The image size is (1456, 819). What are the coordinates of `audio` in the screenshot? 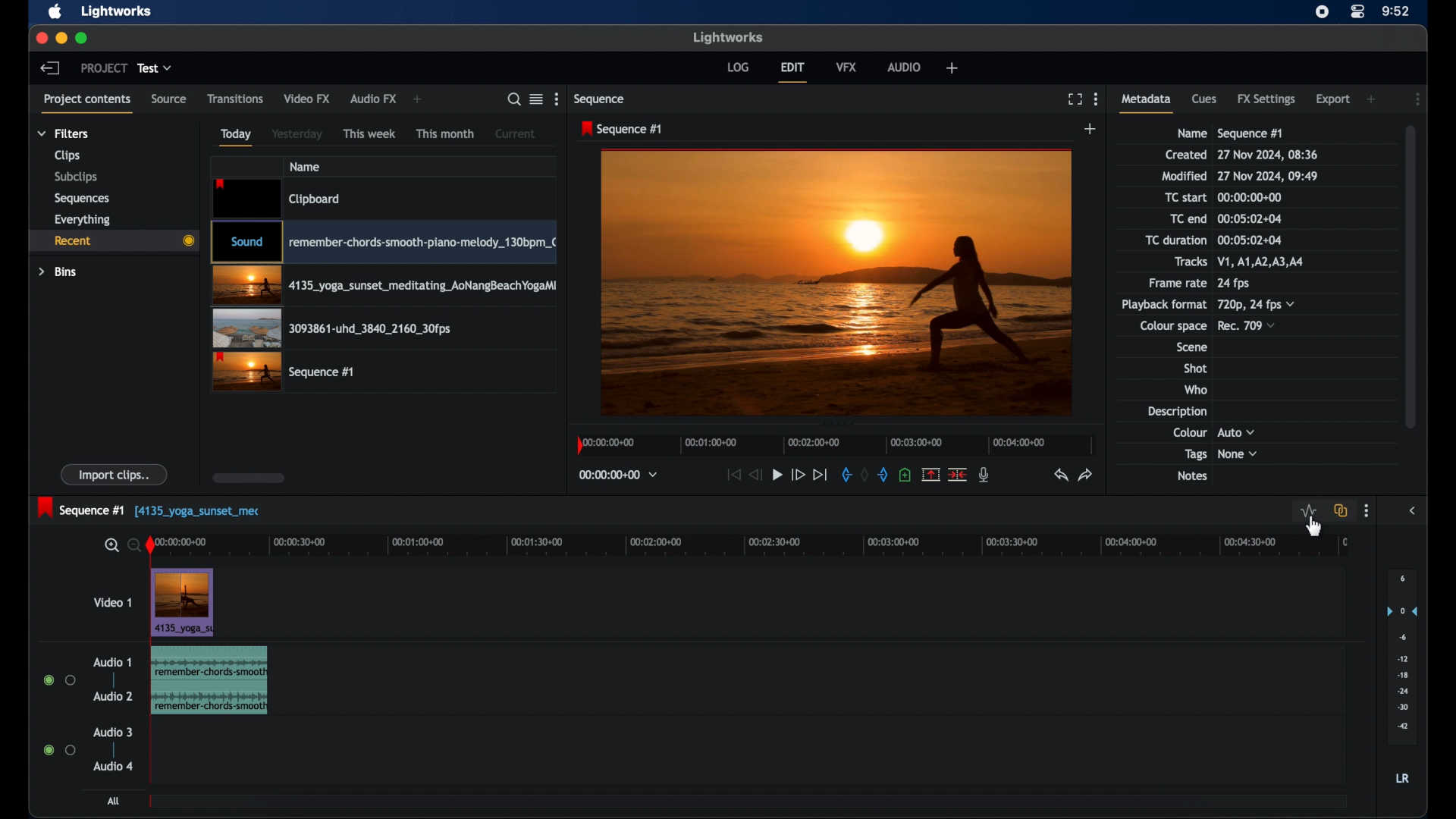 It's located at (905, 67).